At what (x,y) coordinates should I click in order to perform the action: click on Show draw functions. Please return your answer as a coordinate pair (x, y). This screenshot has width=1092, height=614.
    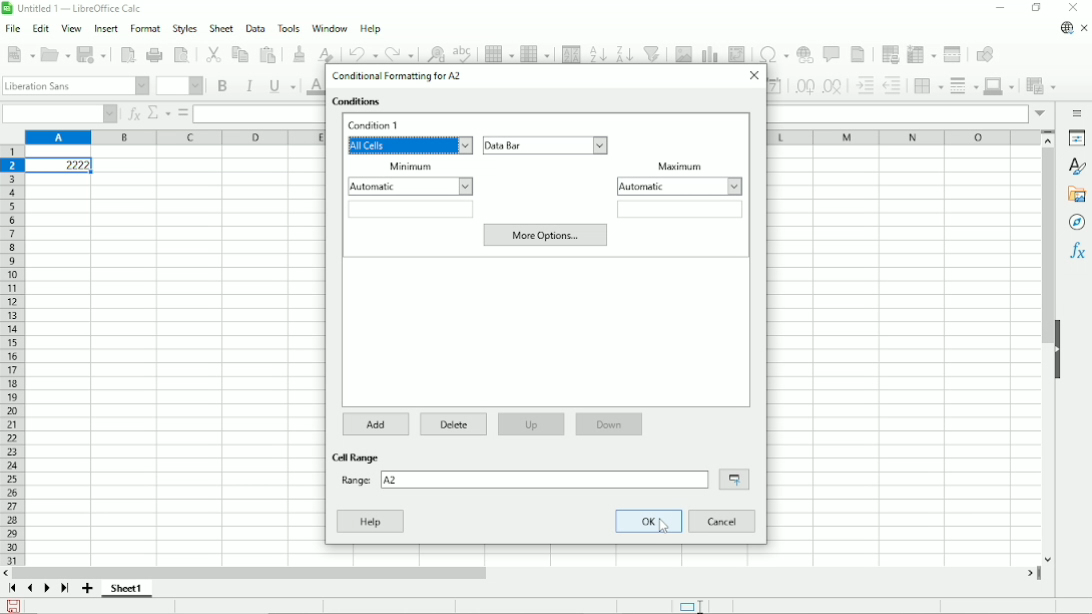
    Looking at the image, I should click on (988, 54).